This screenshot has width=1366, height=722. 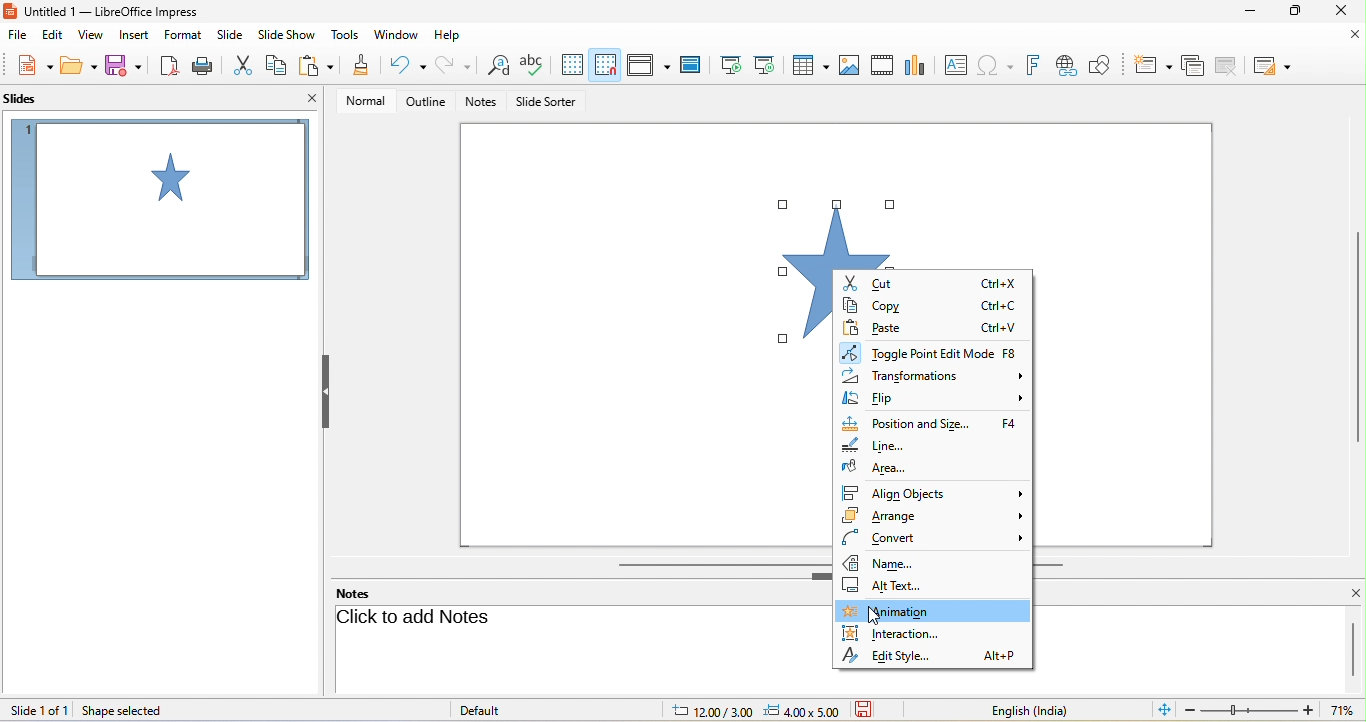 What do you see at coordinates (1273, 67) in the screenshot?
I see `slide layout` at bounding box center [1273, 67].